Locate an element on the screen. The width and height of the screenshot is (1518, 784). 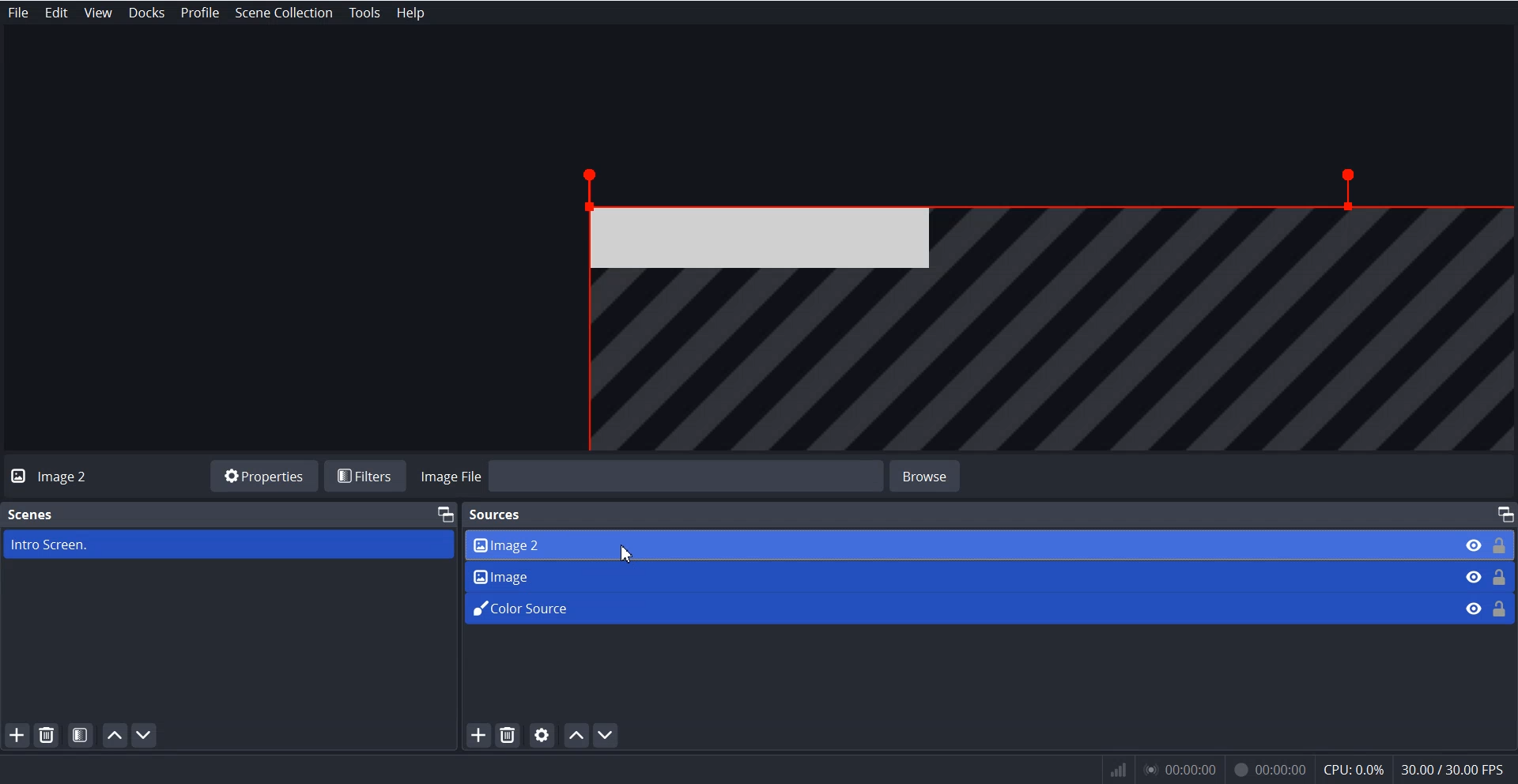
00:00:00 is located at coordinates (1270, 766).